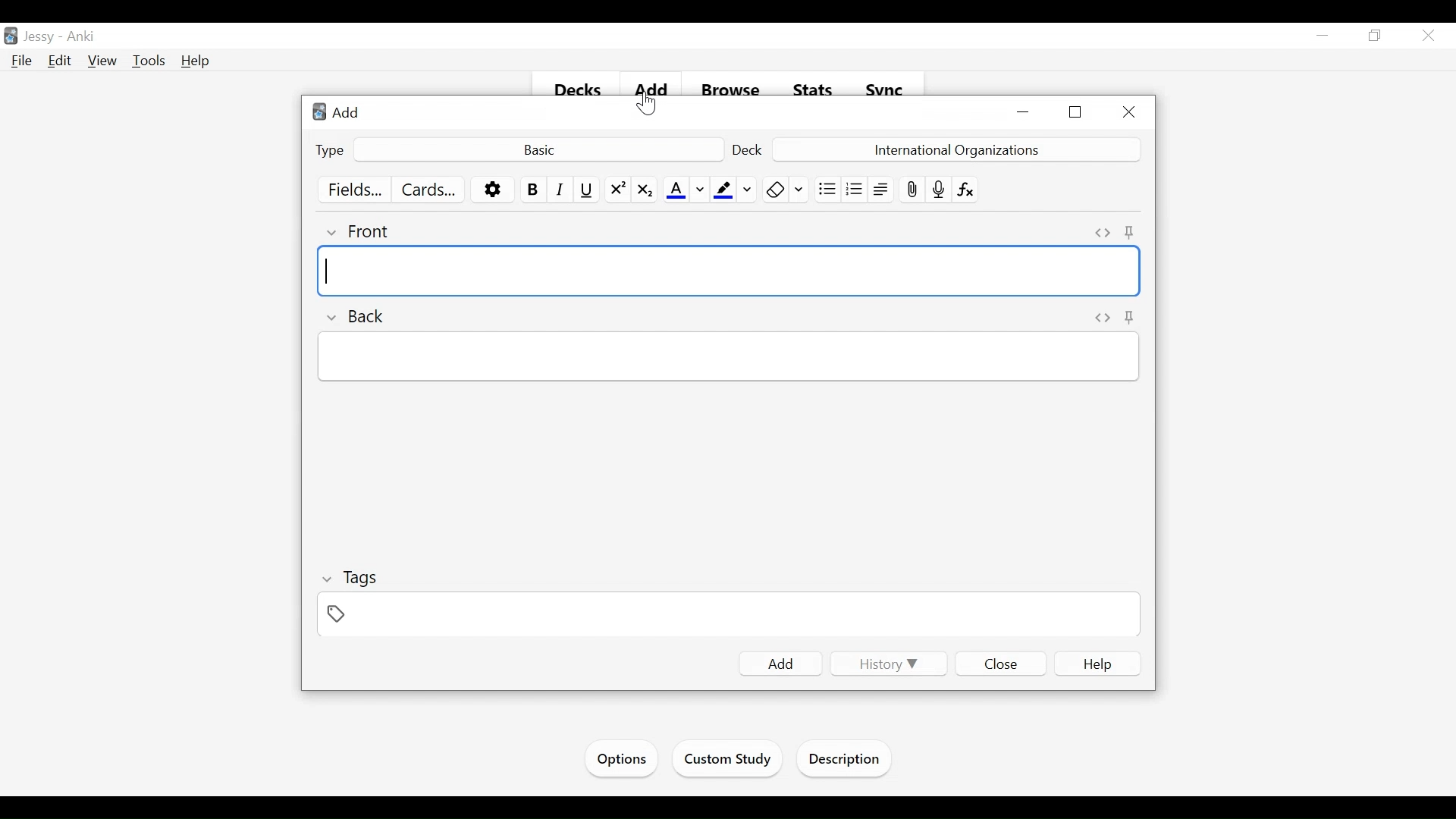 Image resolution: width=1456 pixels, height=819 pixels. I want to click on Toggle HTML Editor, so click(1102, 316).